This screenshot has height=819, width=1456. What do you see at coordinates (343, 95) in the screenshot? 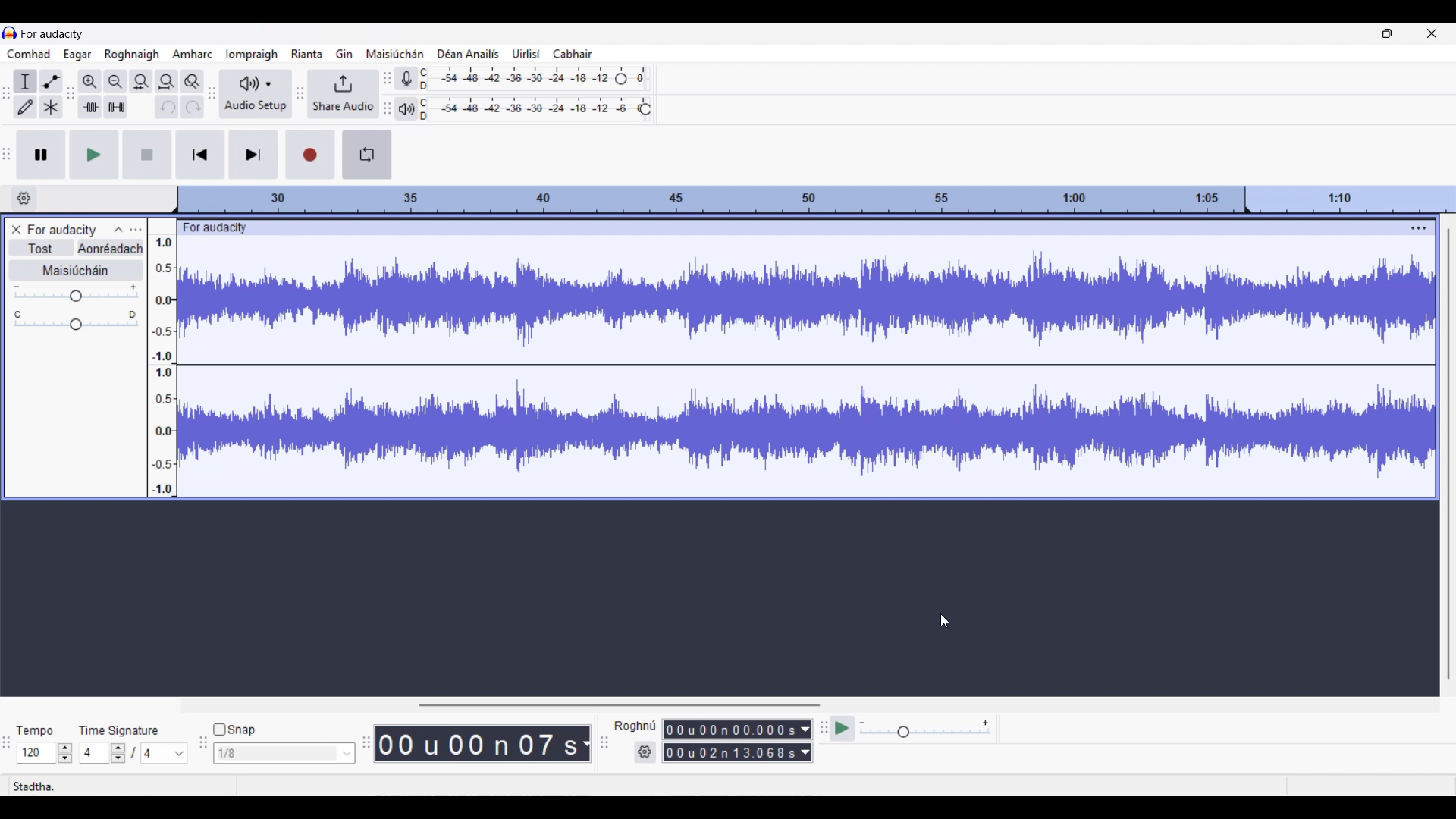
I see `Share audio` at bounding box center [343, 95].